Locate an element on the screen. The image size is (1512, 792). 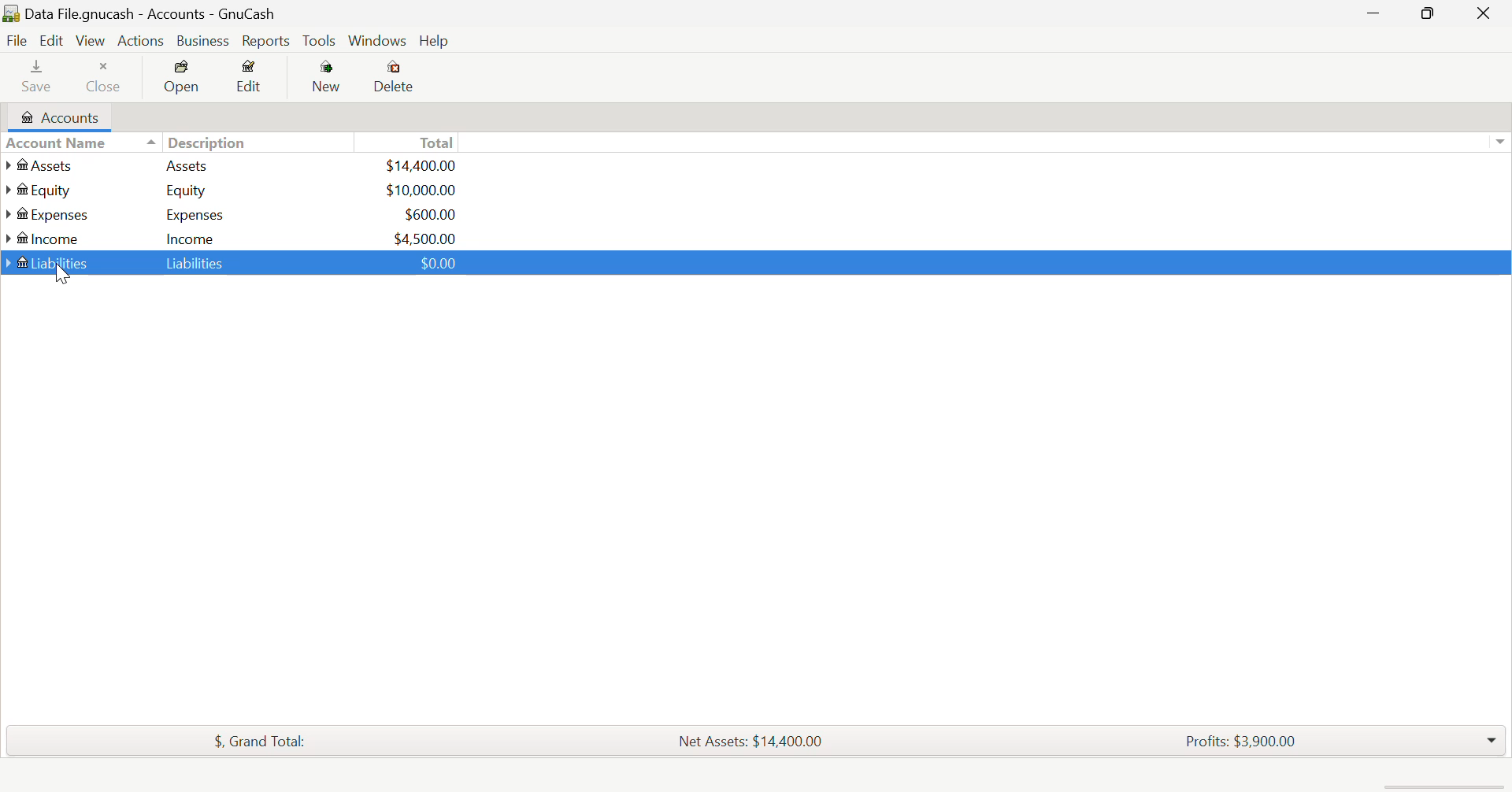
Edit is located at coordinates (250, 80).